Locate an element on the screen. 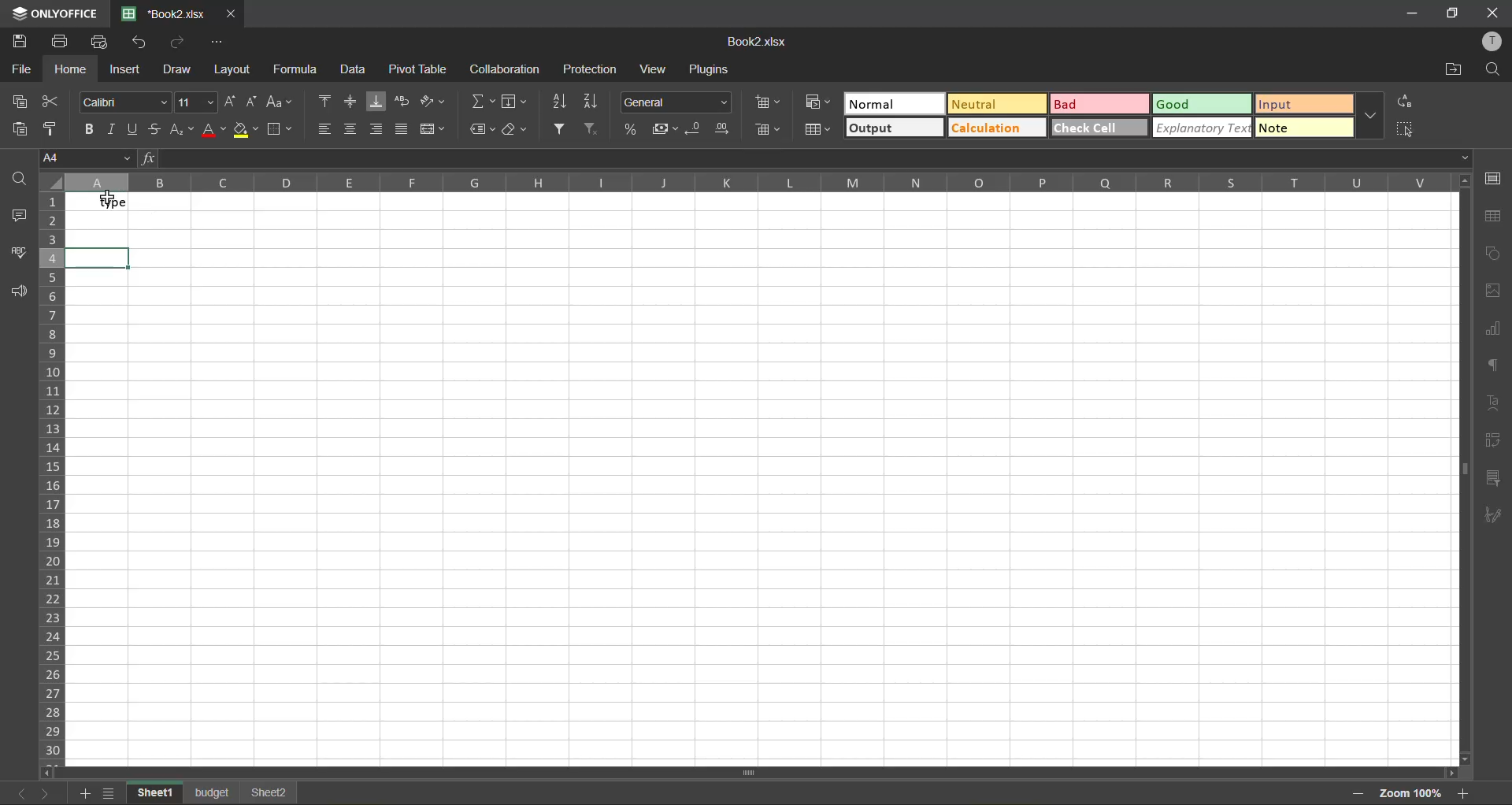 This screenshot has height=805, width=1512. find is located at coordinates (1494, 73).